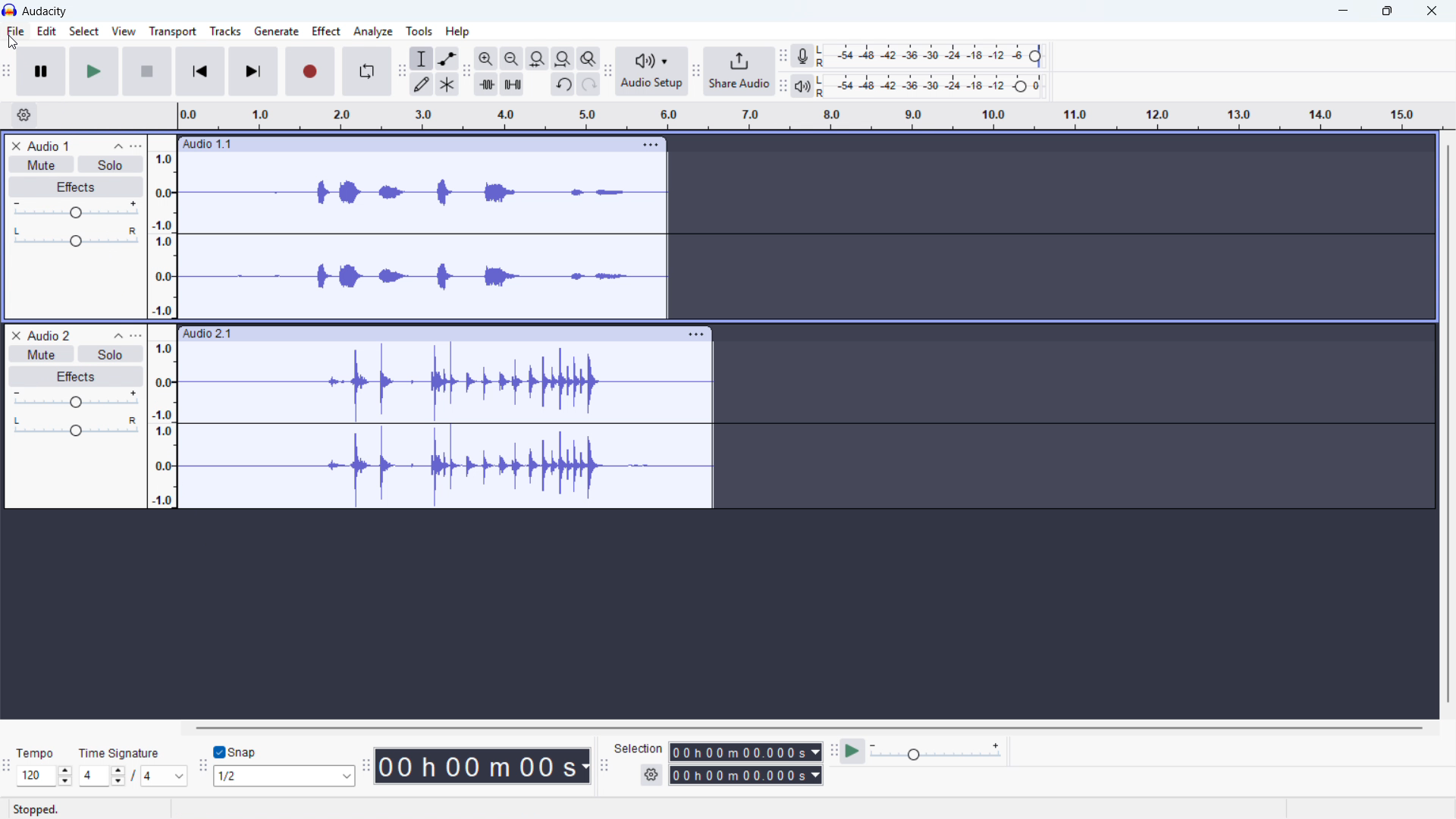  I want to click on remove track, so click(15, 146).